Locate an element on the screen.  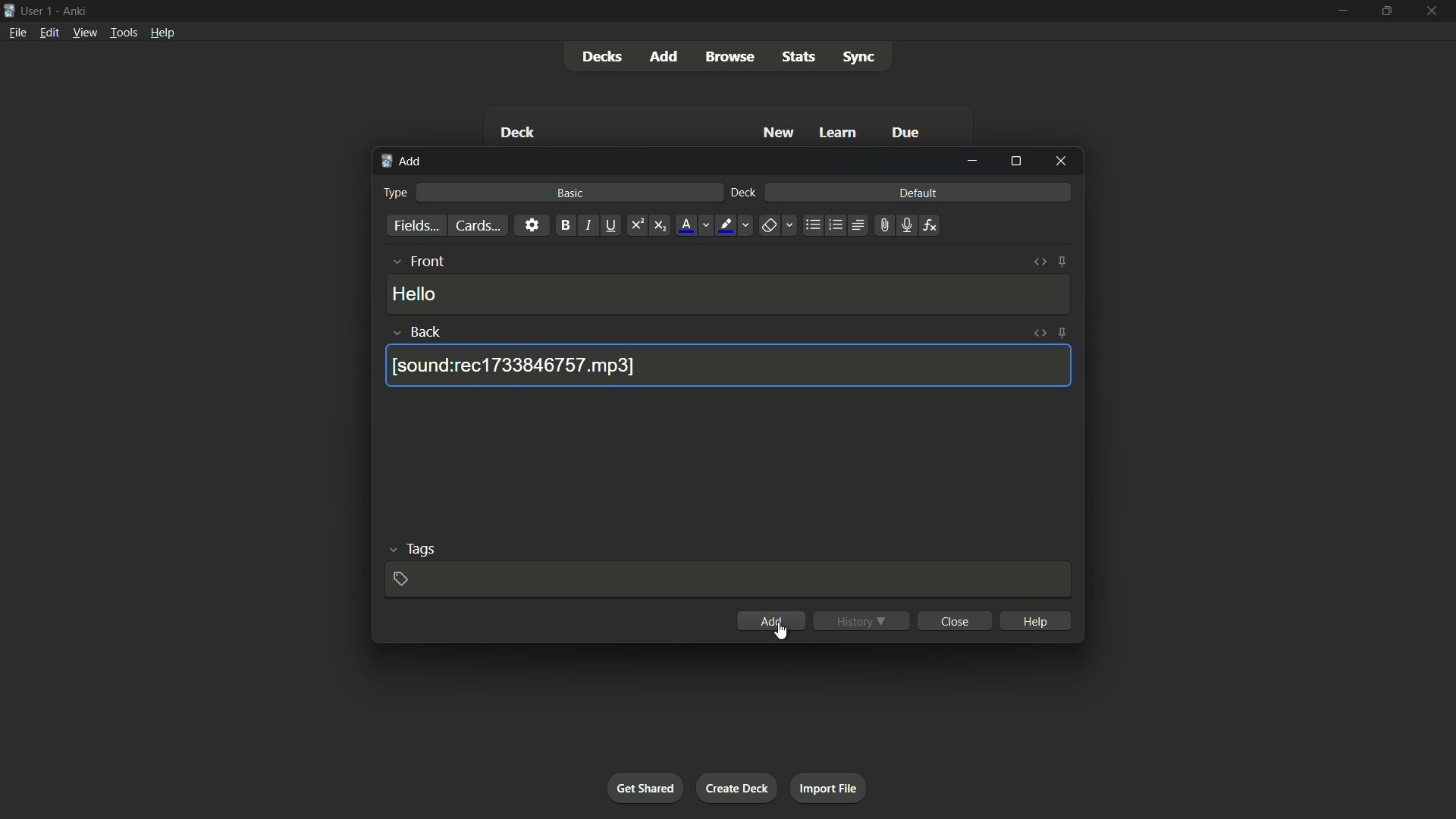
browse is located at coordinates (729, 56).